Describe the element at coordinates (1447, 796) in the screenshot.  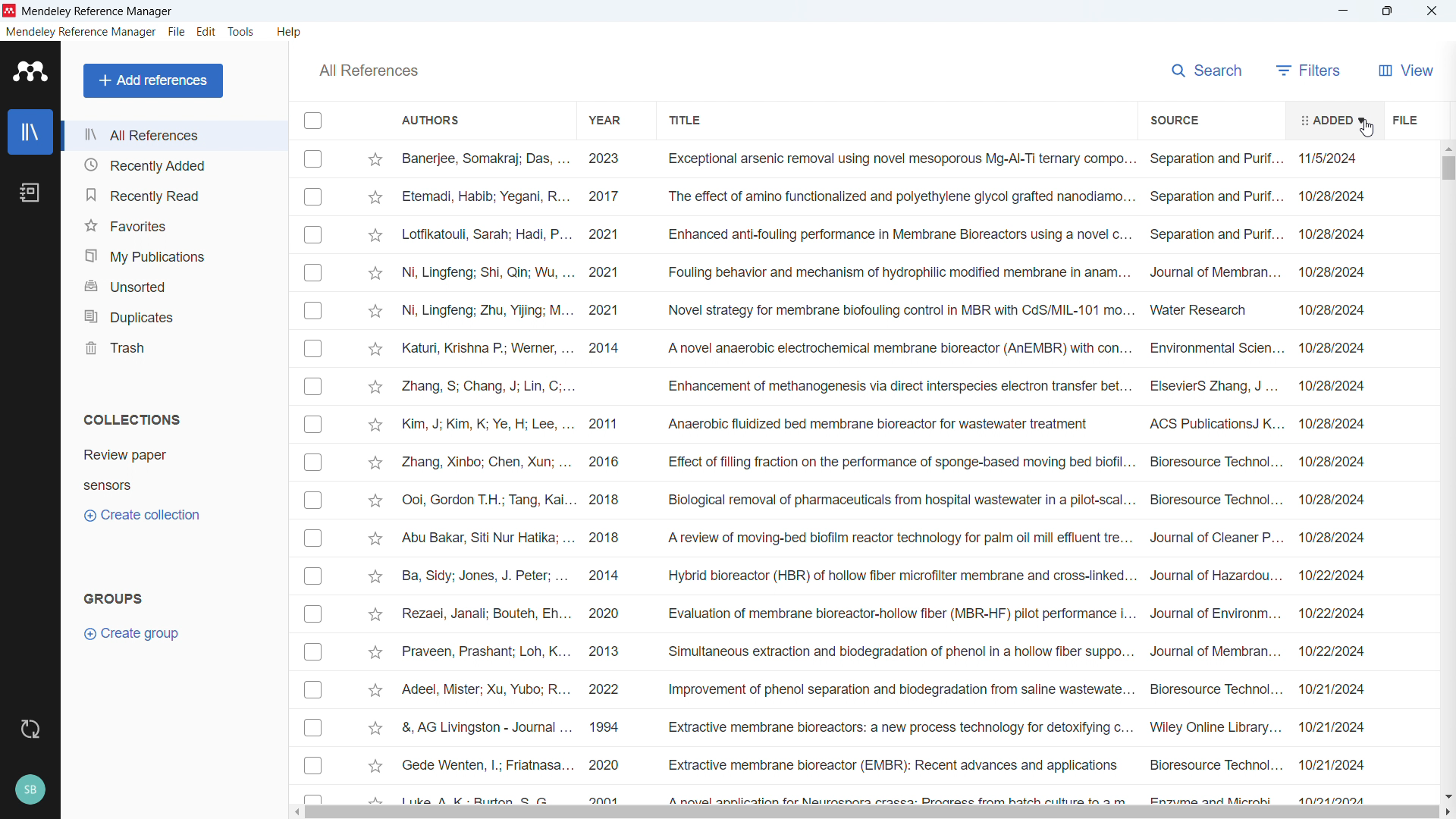
I see `Scroll down ` at that location.